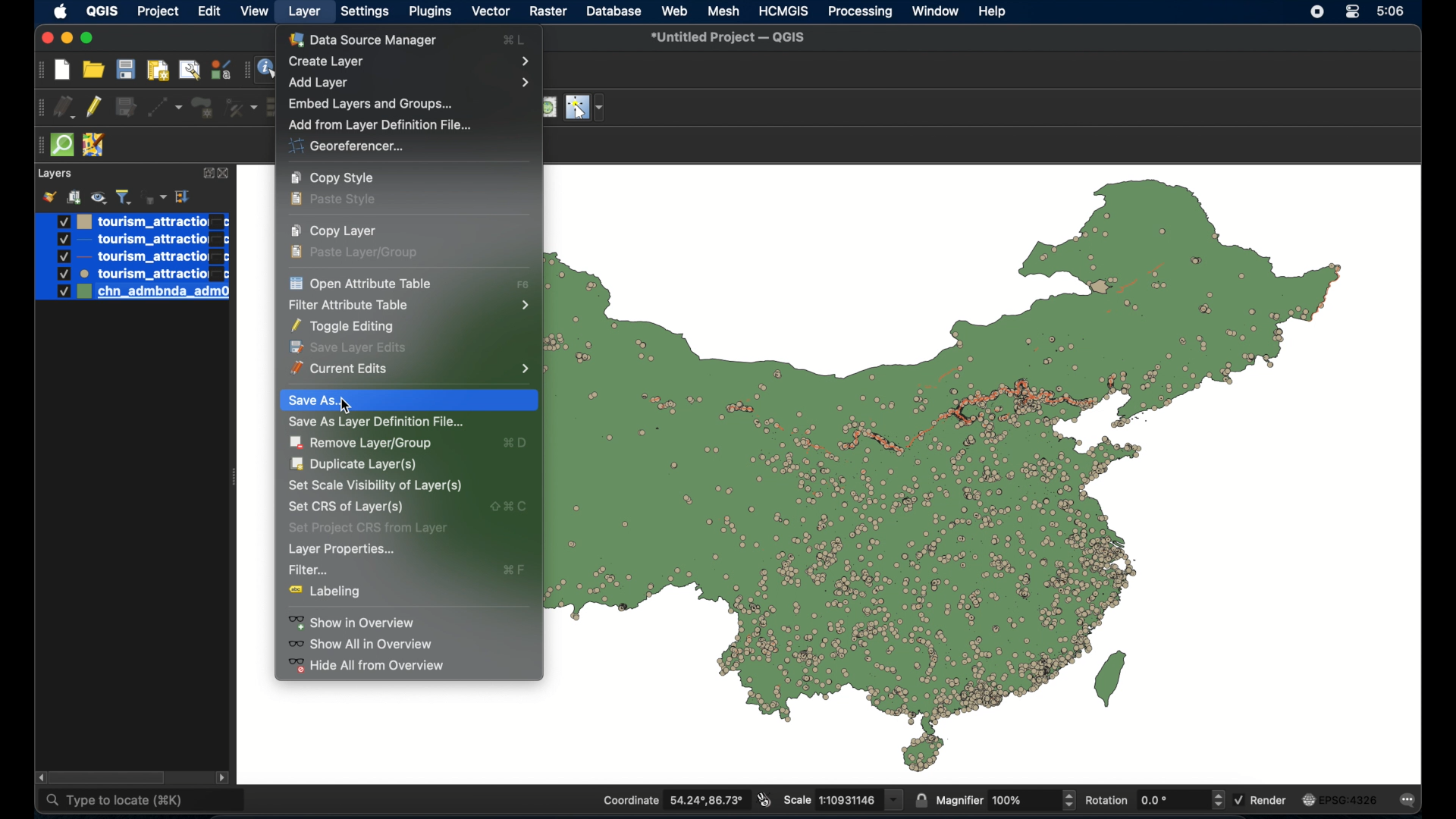  I want to click on messages, so click(1410, 799).